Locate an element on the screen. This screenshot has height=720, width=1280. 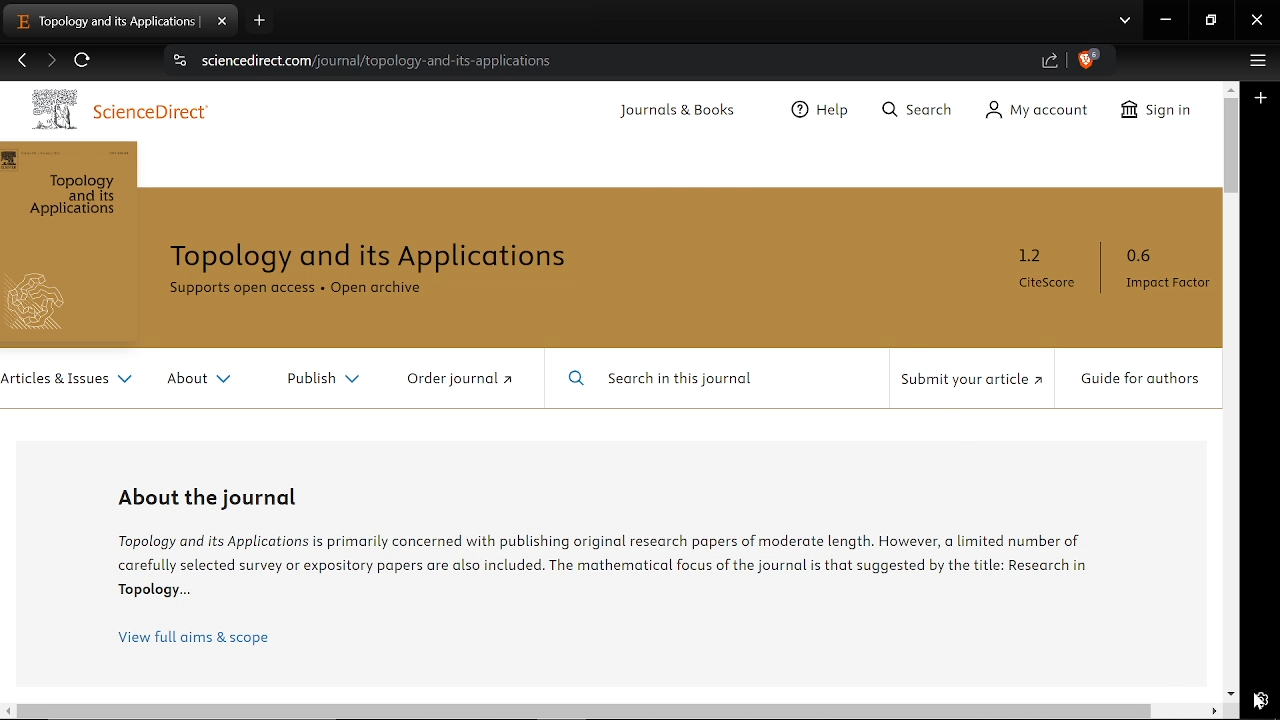
 is located at coordinates (1265, 701).